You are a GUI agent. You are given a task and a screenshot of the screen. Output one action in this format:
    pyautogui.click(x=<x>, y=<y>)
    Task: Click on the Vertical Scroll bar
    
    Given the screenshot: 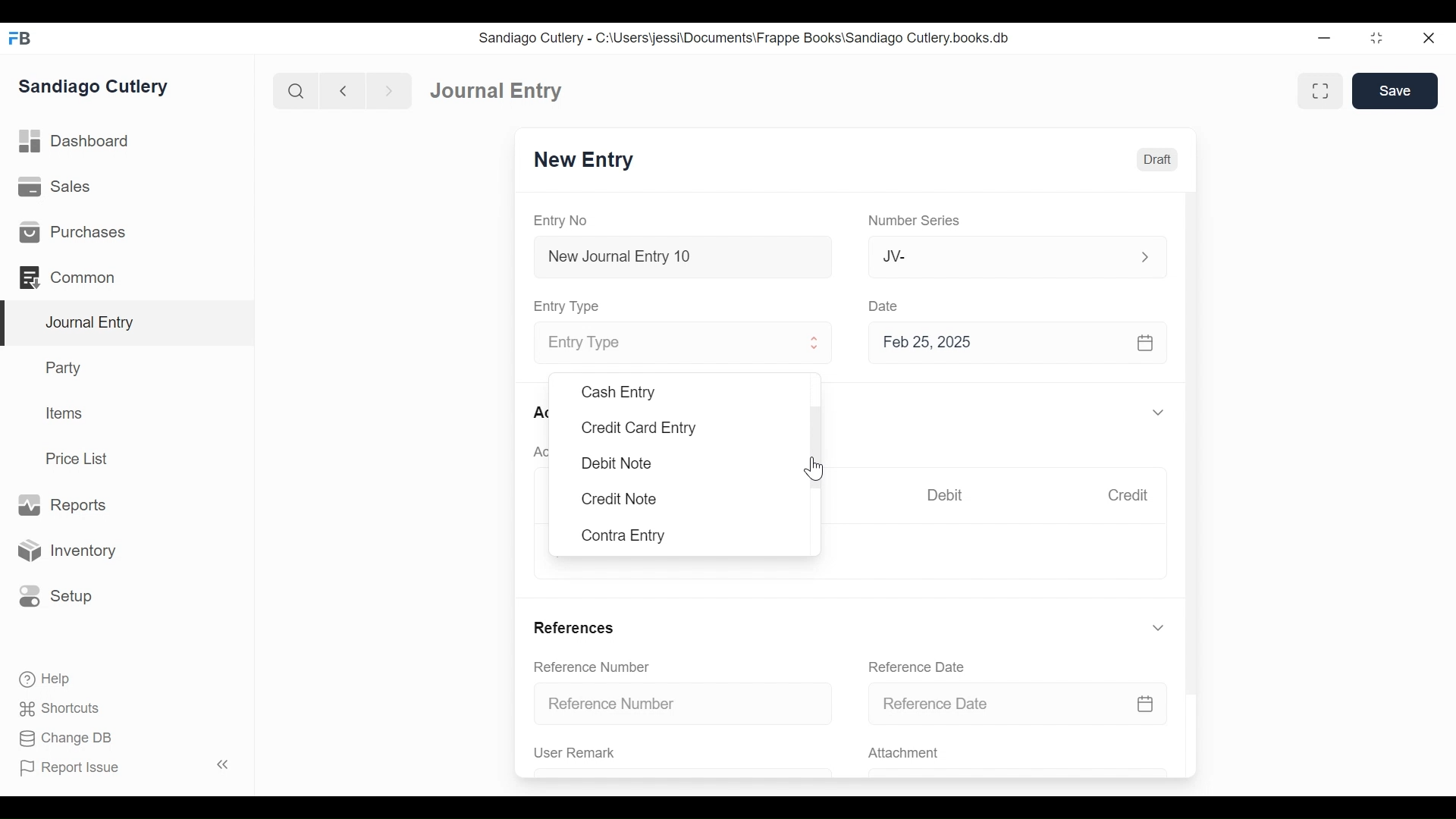 What is the action you would take?
    pyautogui.click(x=1194, y=434)
    